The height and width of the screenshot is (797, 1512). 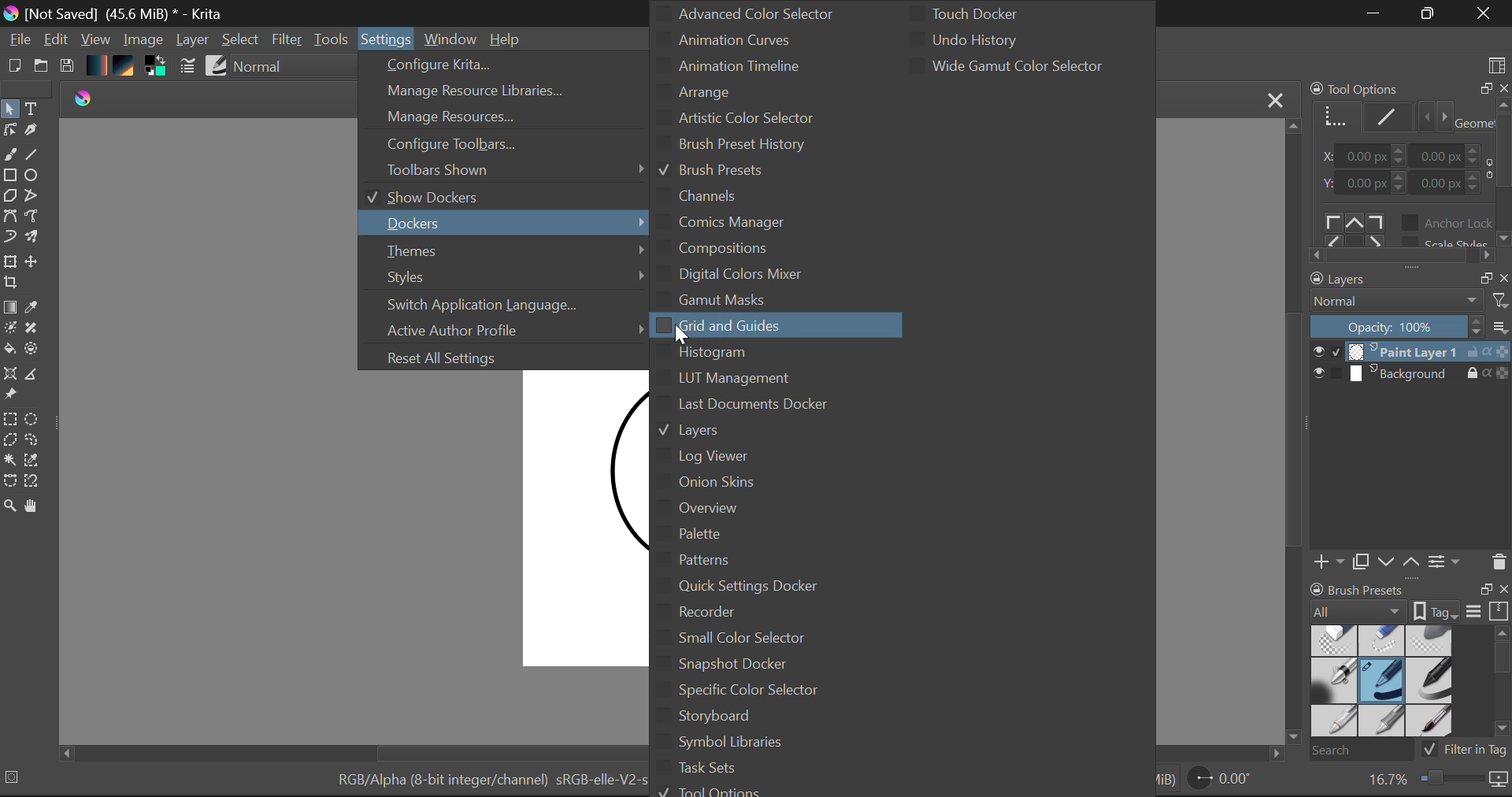 I want to click on Small Color Selector, so click(x=758, y=637).